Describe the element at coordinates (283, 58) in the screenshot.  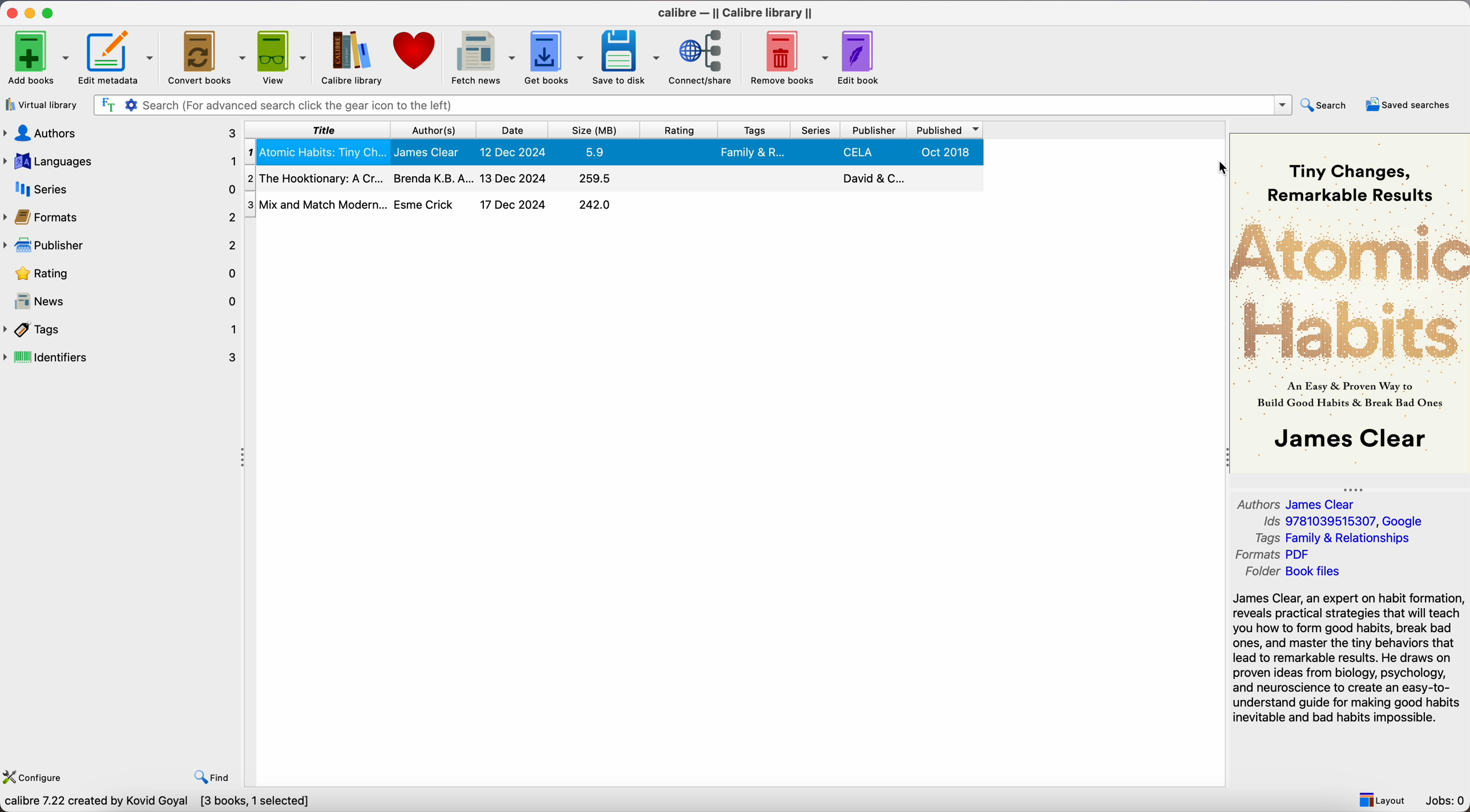
I see `view` at that location.